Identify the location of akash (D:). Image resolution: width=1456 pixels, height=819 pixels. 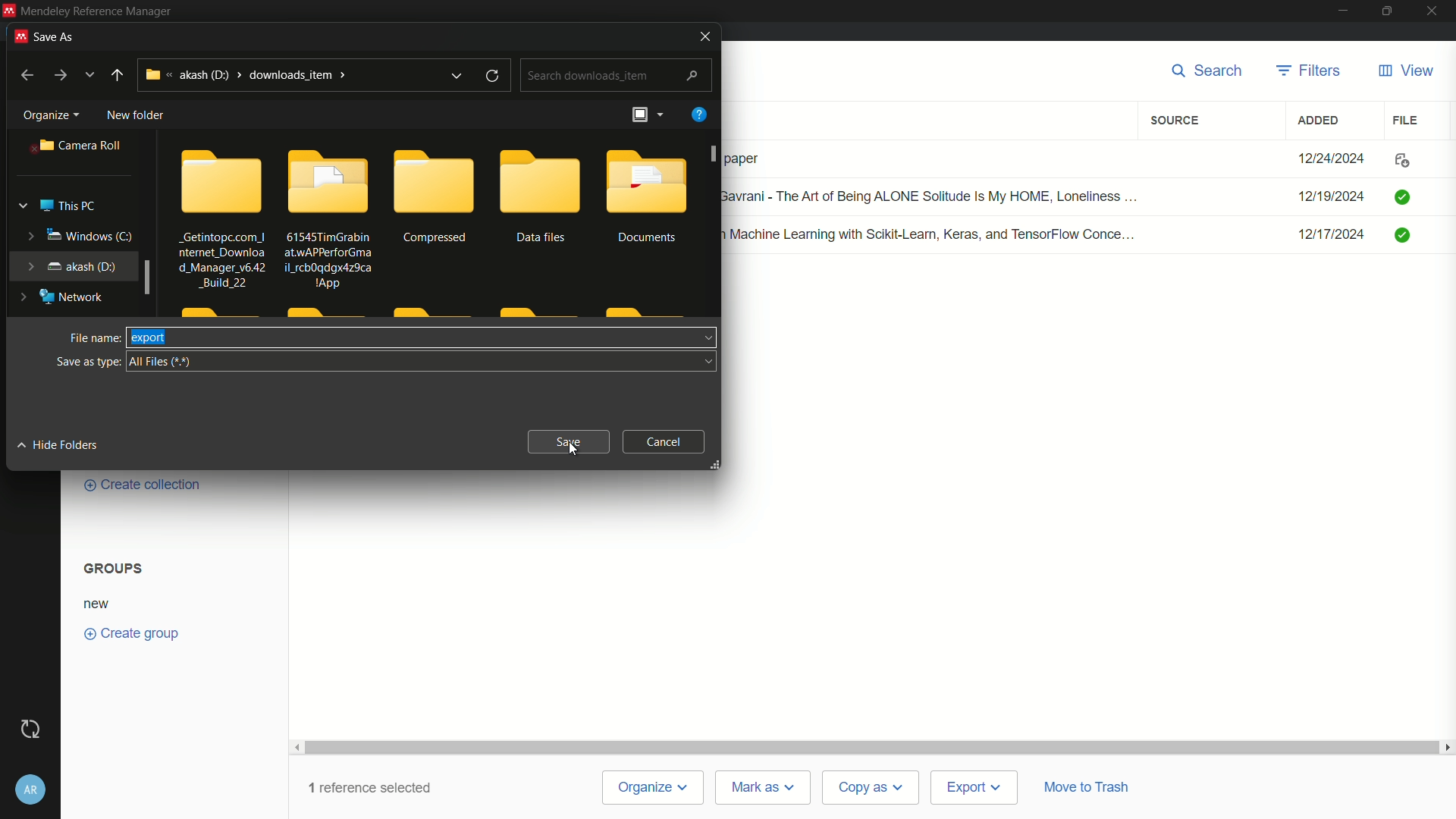
(68, 265).